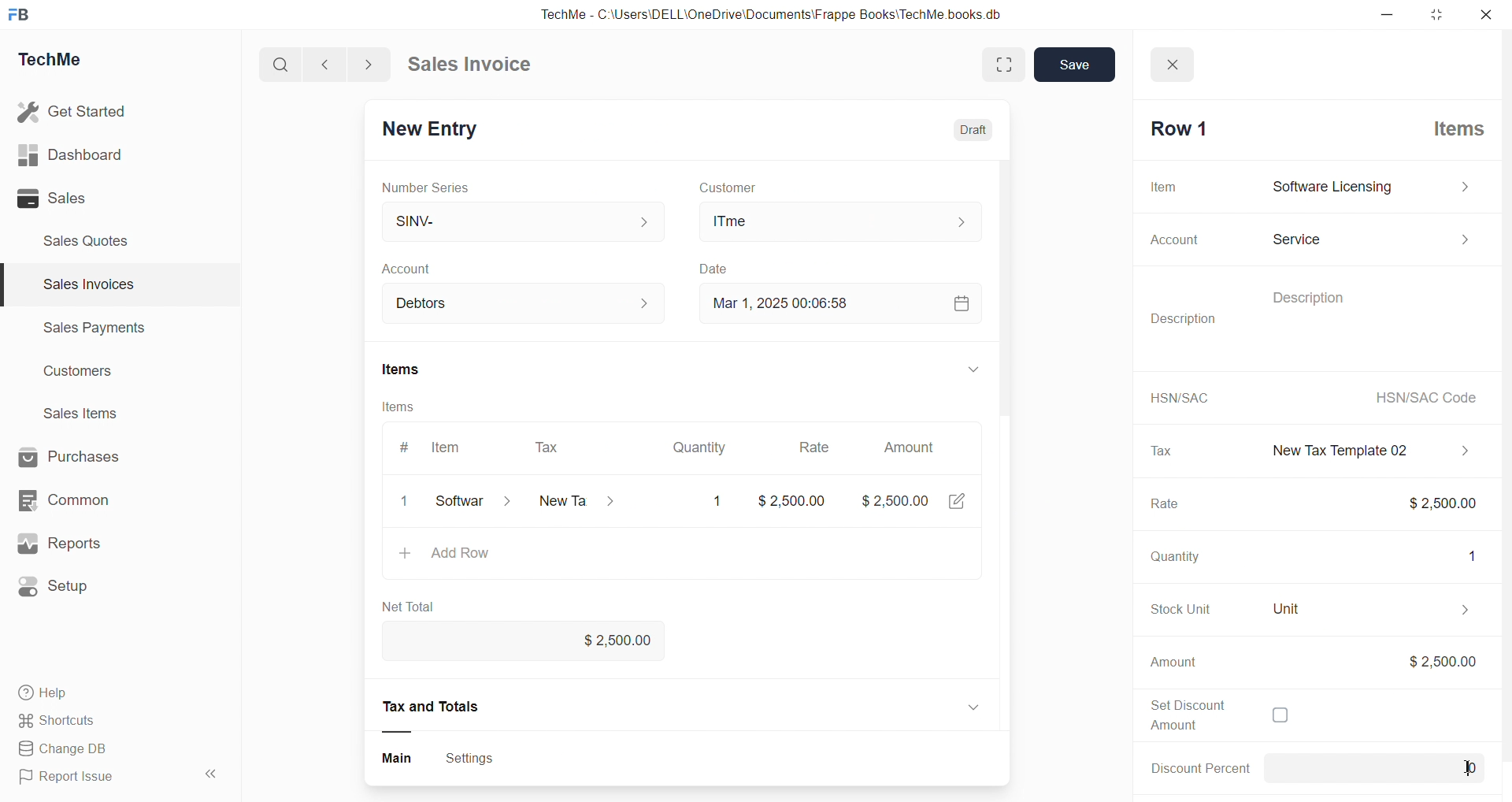 Image resolution: width=1512 pixels, height=802 pixels. What do you see at coordinates (433, 188) in the screenshot?
I see `Number Series` at bounding box center [433, 188].